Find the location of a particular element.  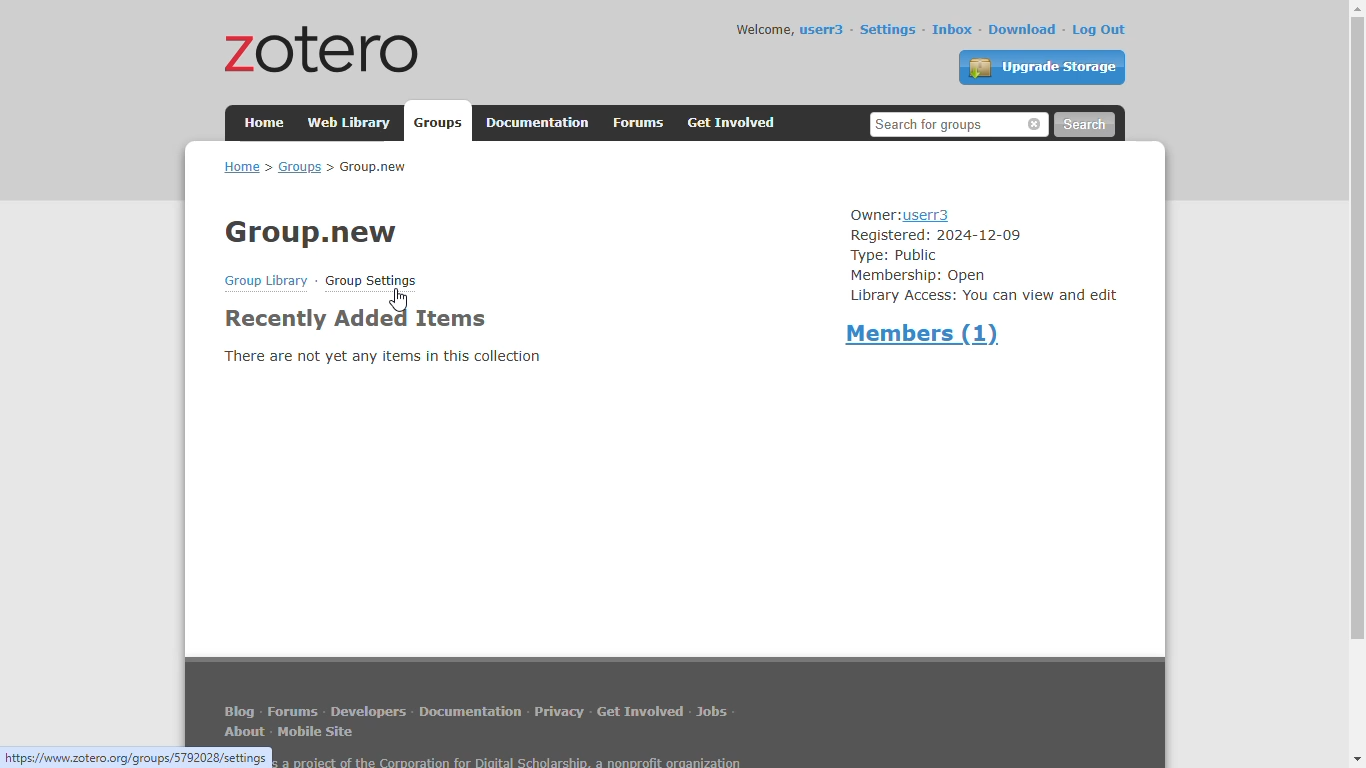

owner: userr3 is located at coordinates (900, 216).